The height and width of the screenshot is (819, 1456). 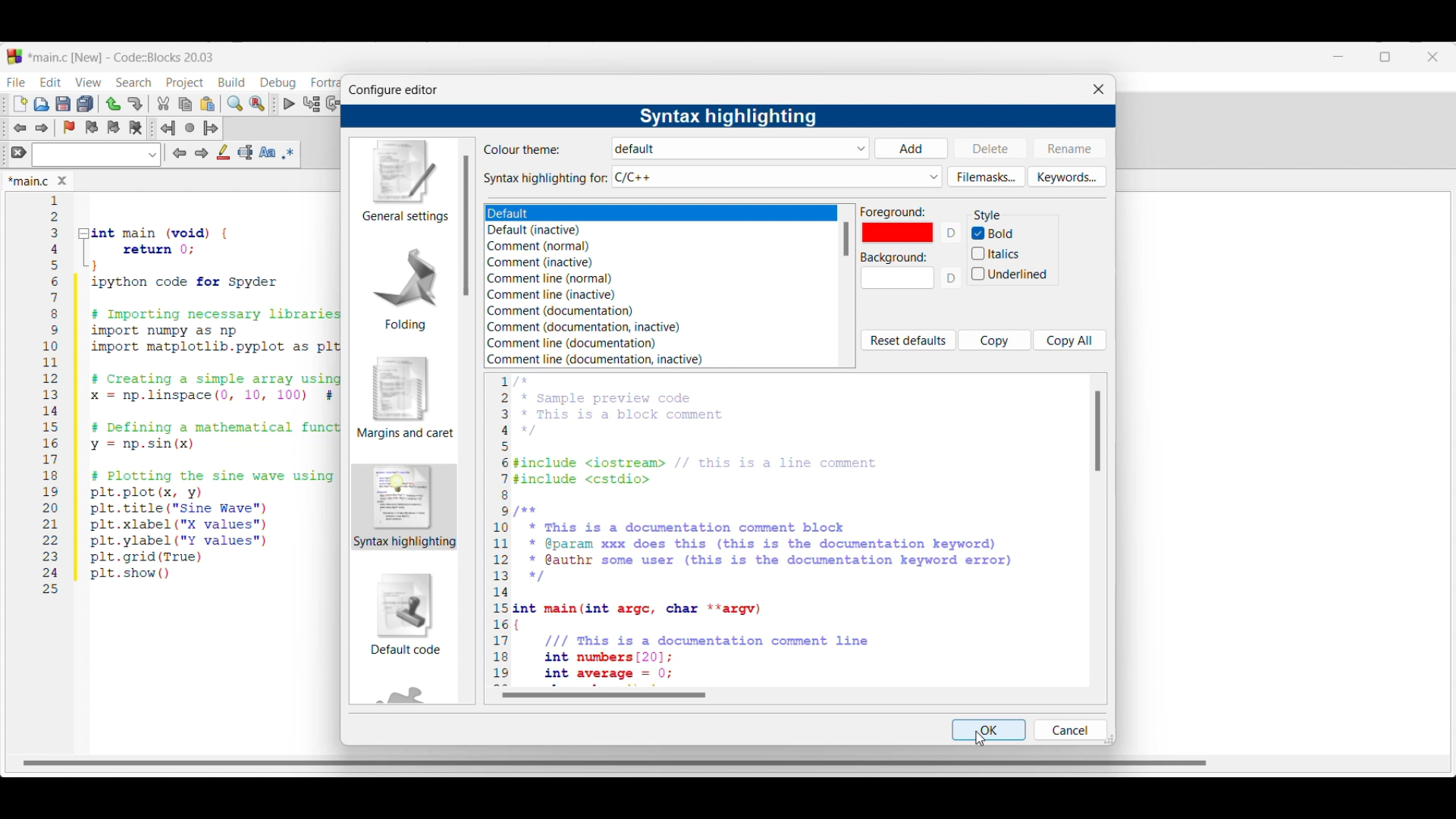 I want to click on File menu, so click(x=16, y=82).